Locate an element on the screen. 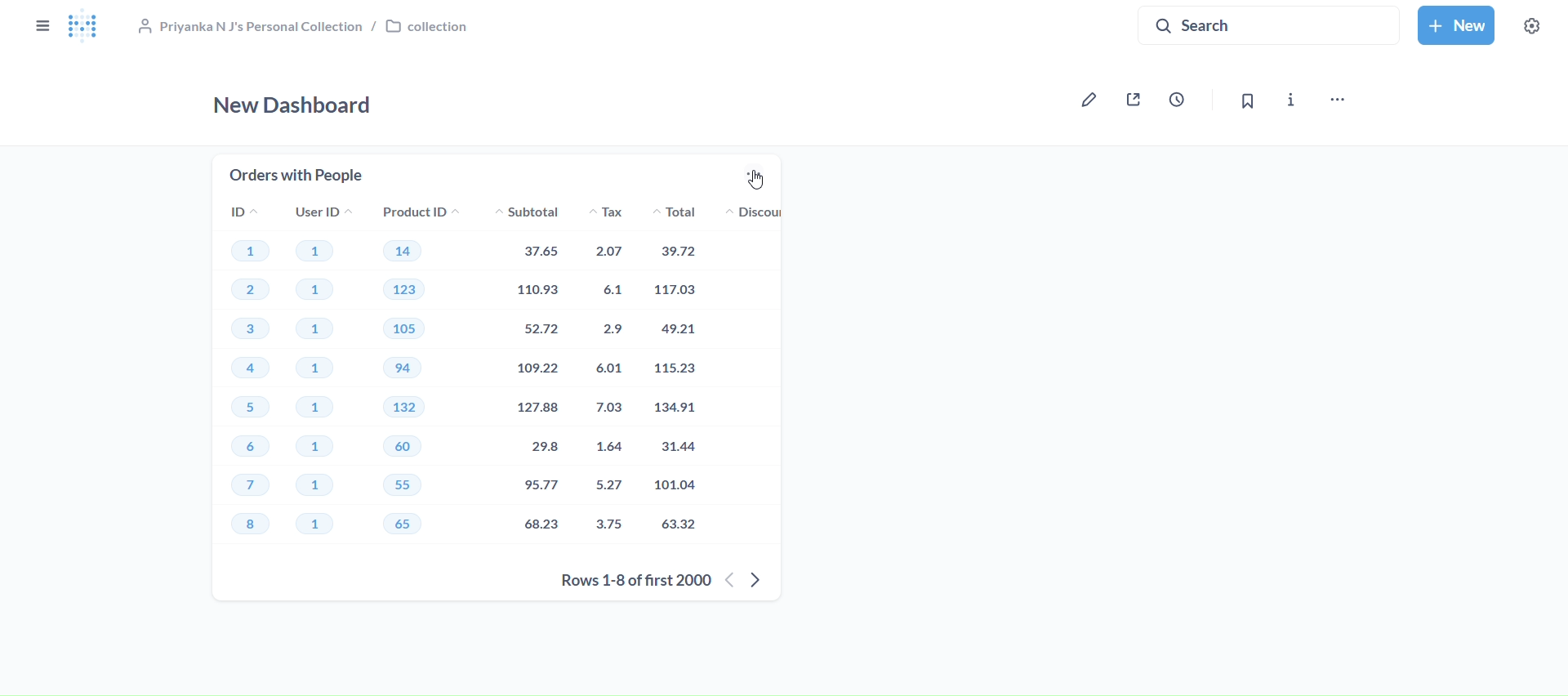 The width and height of the screenshot is (1568, 696). share is located at coordinates (1137, 100).